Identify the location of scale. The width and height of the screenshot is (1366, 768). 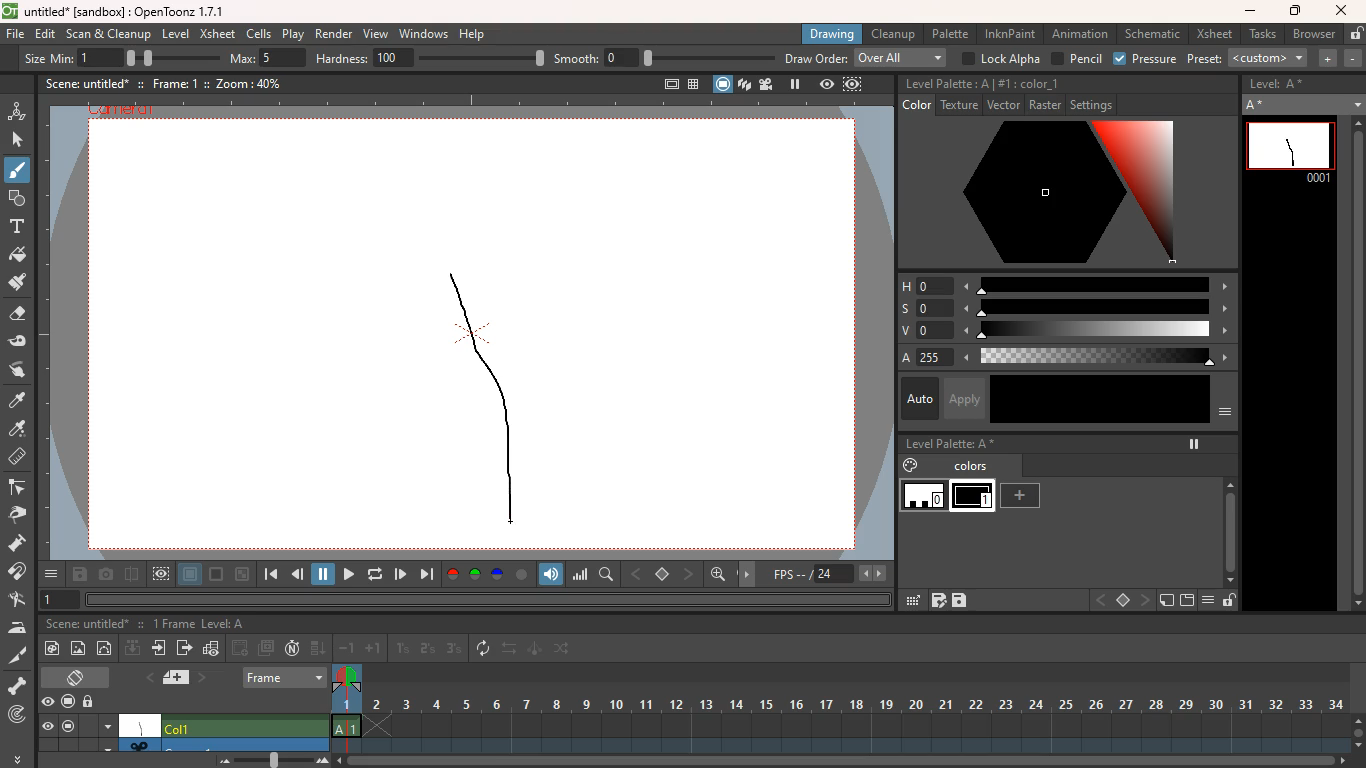
(1096, 284).